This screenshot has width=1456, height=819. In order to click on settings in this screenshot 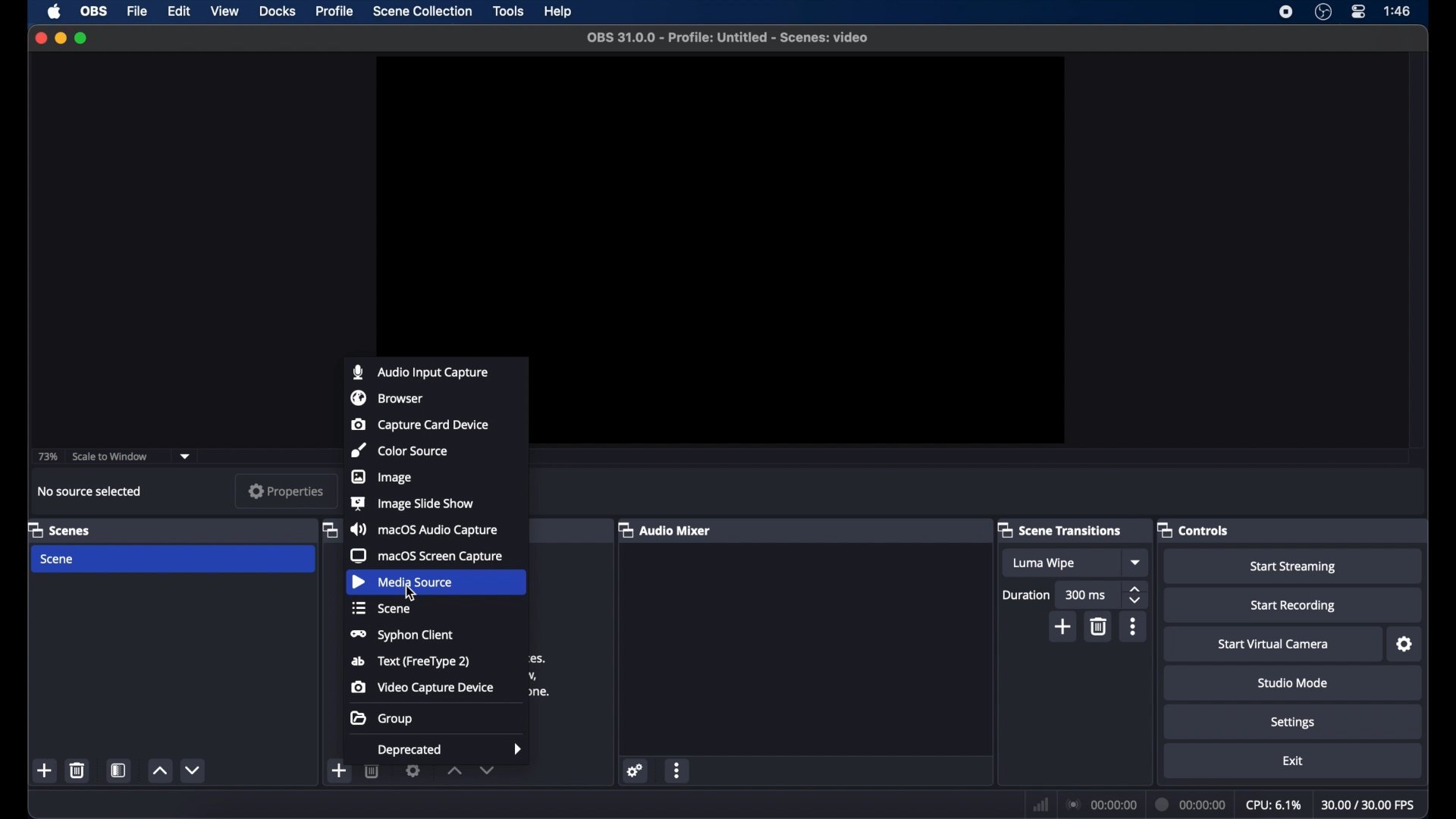, I will do `click(413, 770)`.